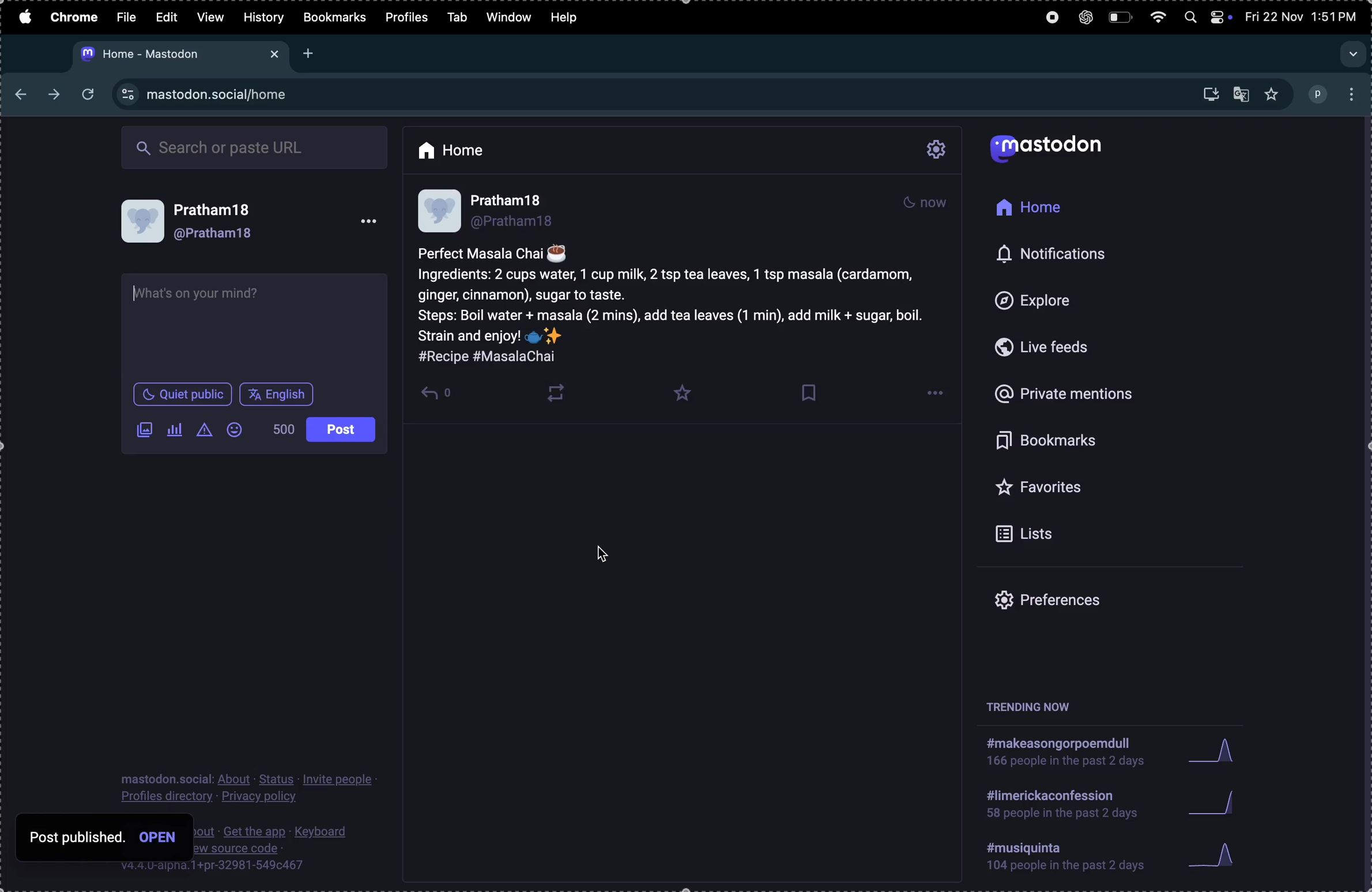 Image resolution: width=1372 pixels, height=892 pixels. What do you see at coordinates (1211, 856) in the screenshot?
I see `graphs` at bounding box center [1211, 856].